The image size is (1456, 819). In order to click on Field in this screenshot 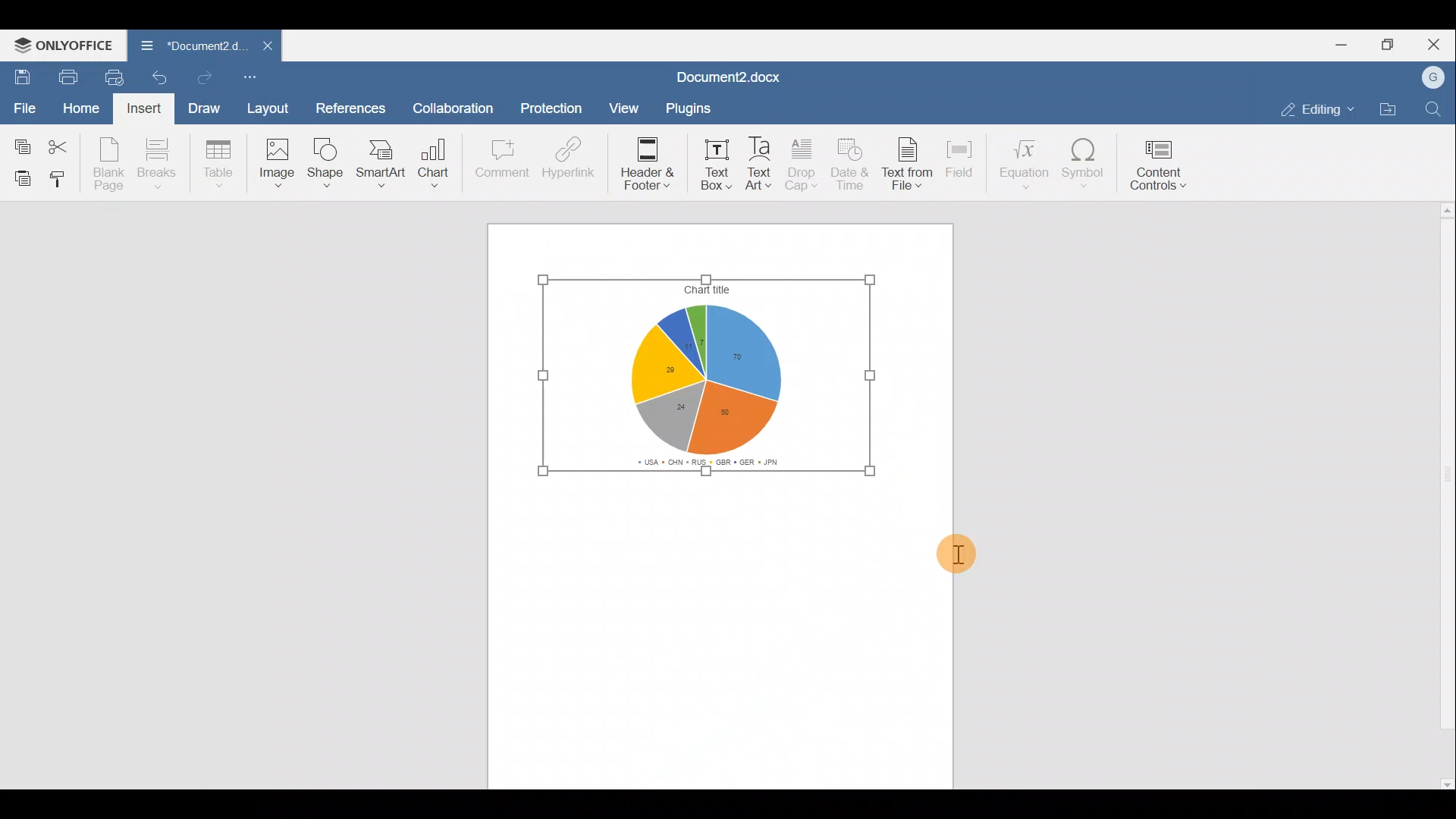, I will do `click(963, 160)`.